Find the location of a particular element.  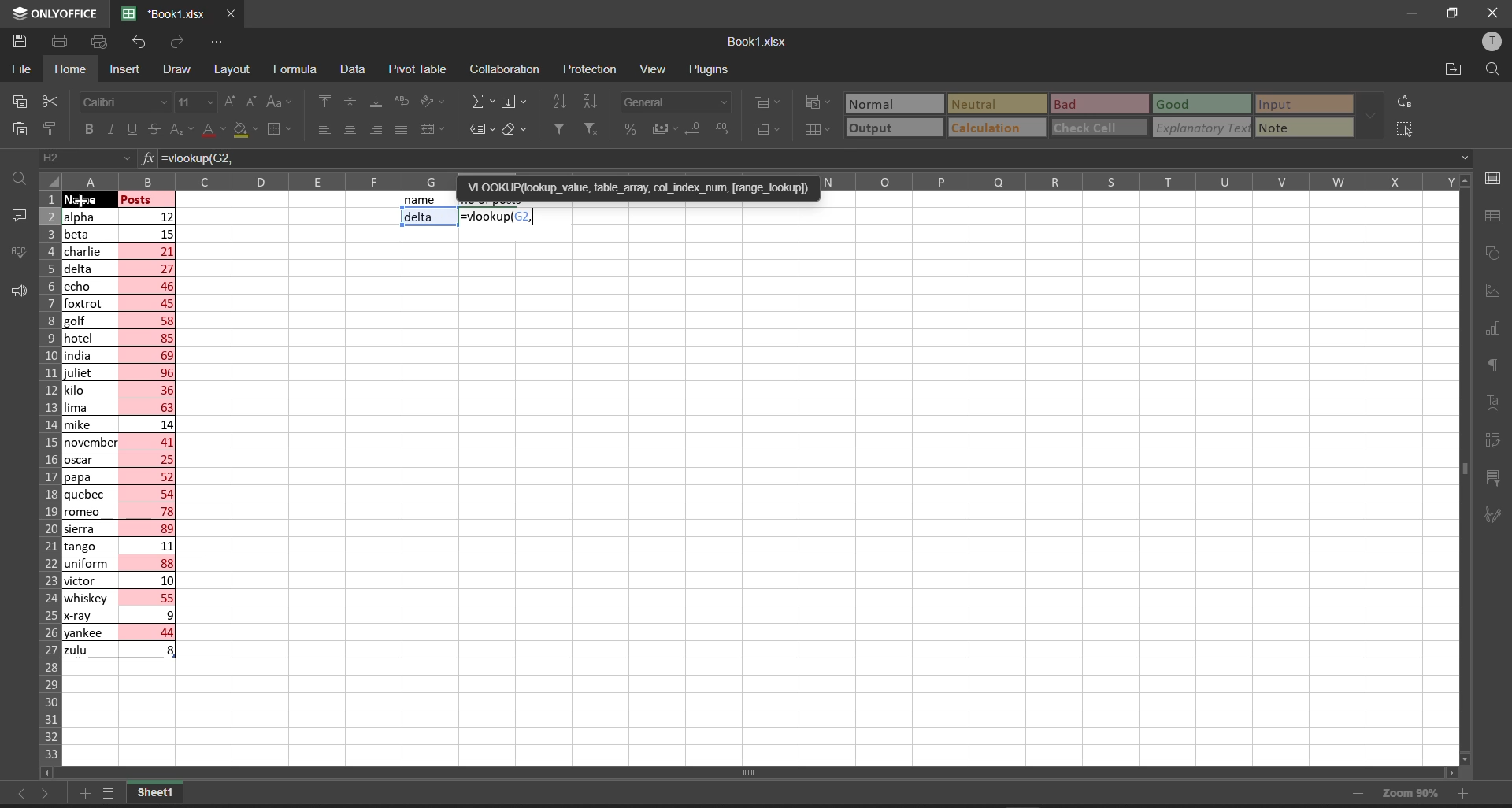

calculation is located at coordinates (993, 128).